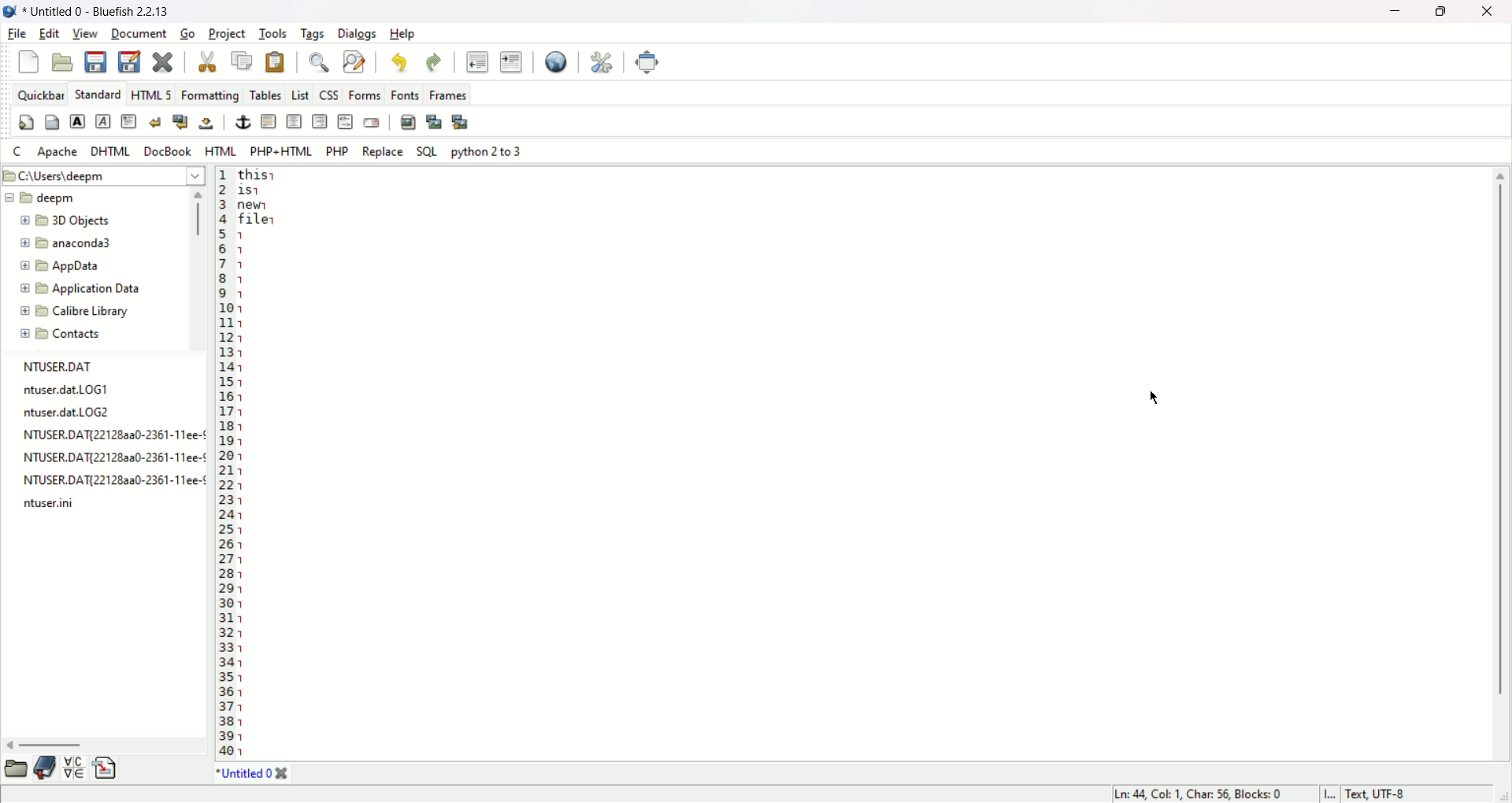 The height and width of the screenshot is (803, 1512). What do you see at coordinates (106, 769) in the screenshot?
I see `snippets` at bounding box center [106, 769].